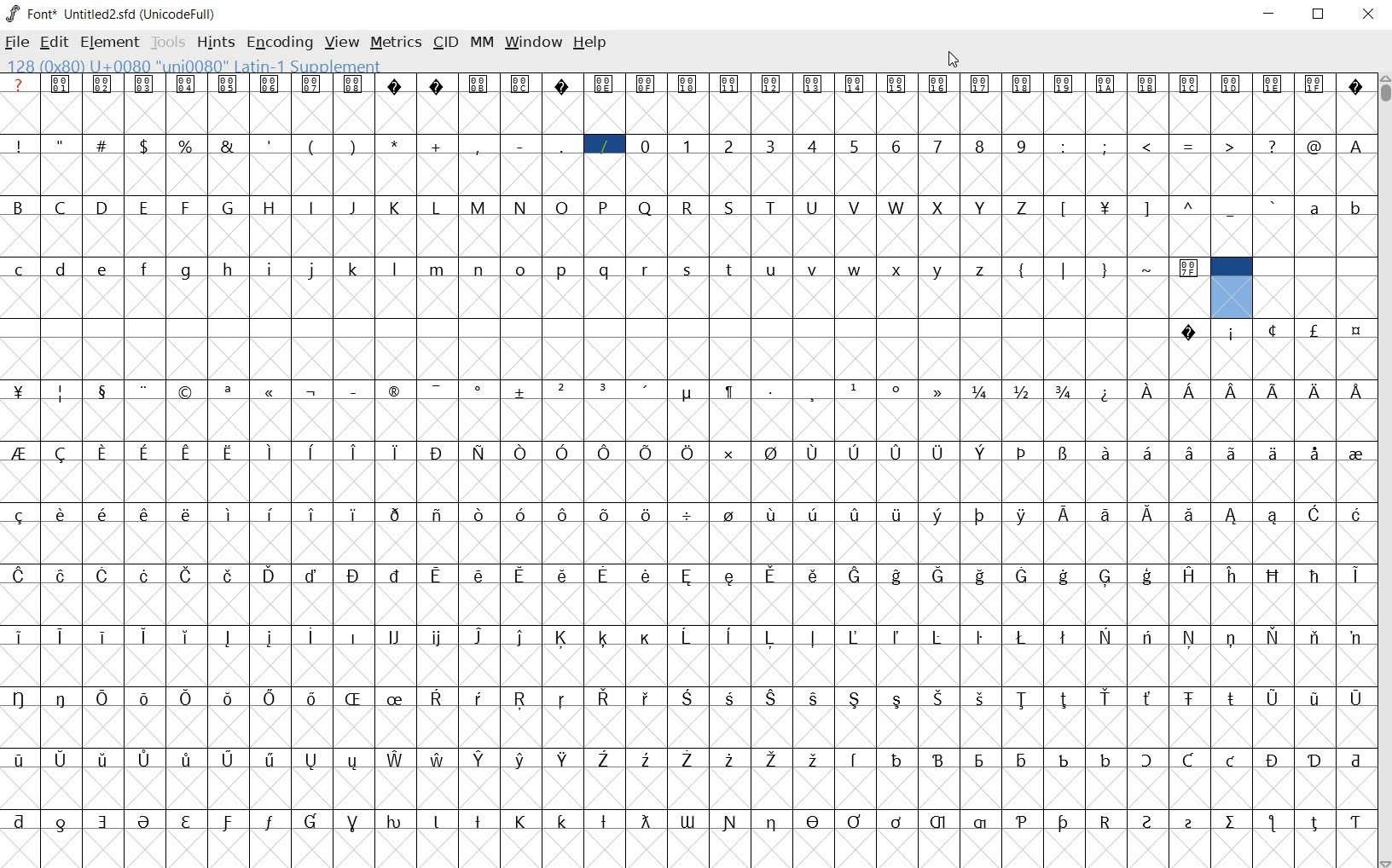  What do you see at coordinates (938, 515) in the screenshot?
I see `Symbol` at bounding box center [938, 515].